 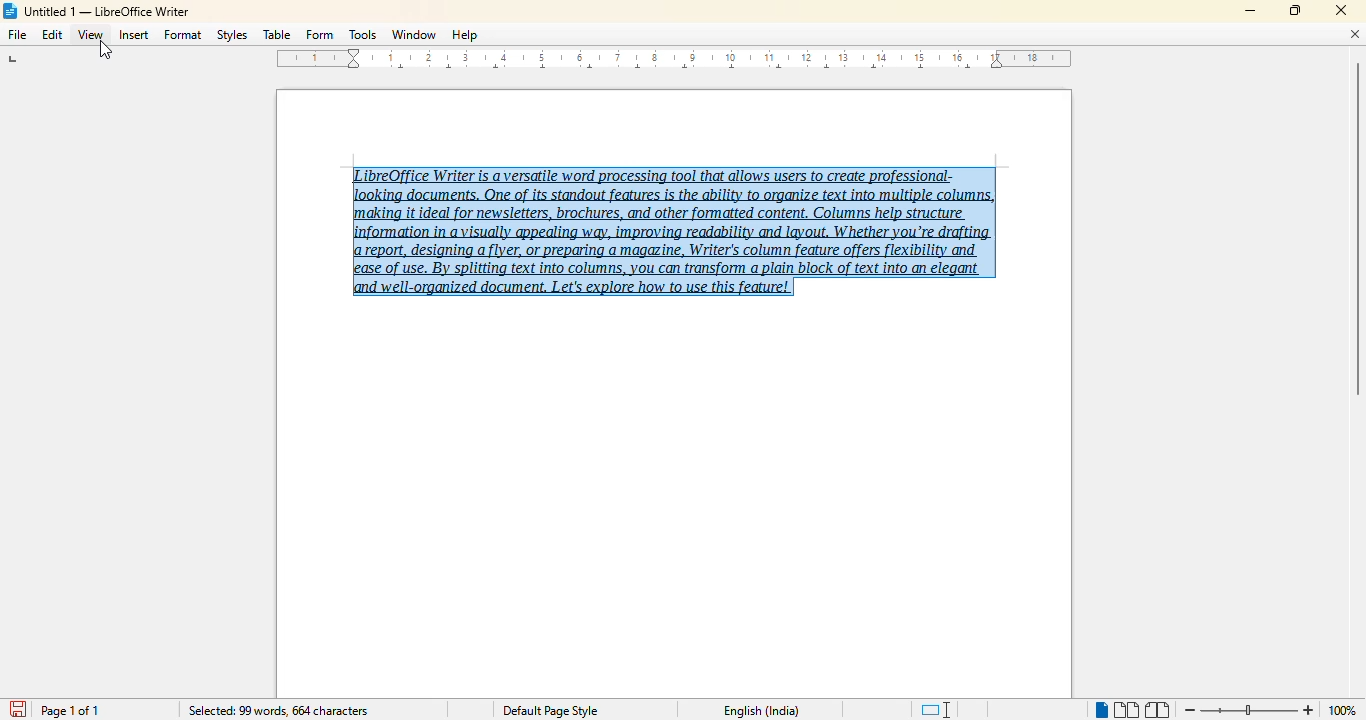 What do you see at coordinates (53, 35) in the screenshot?
I see `edit` at bounding box center [53, 35].